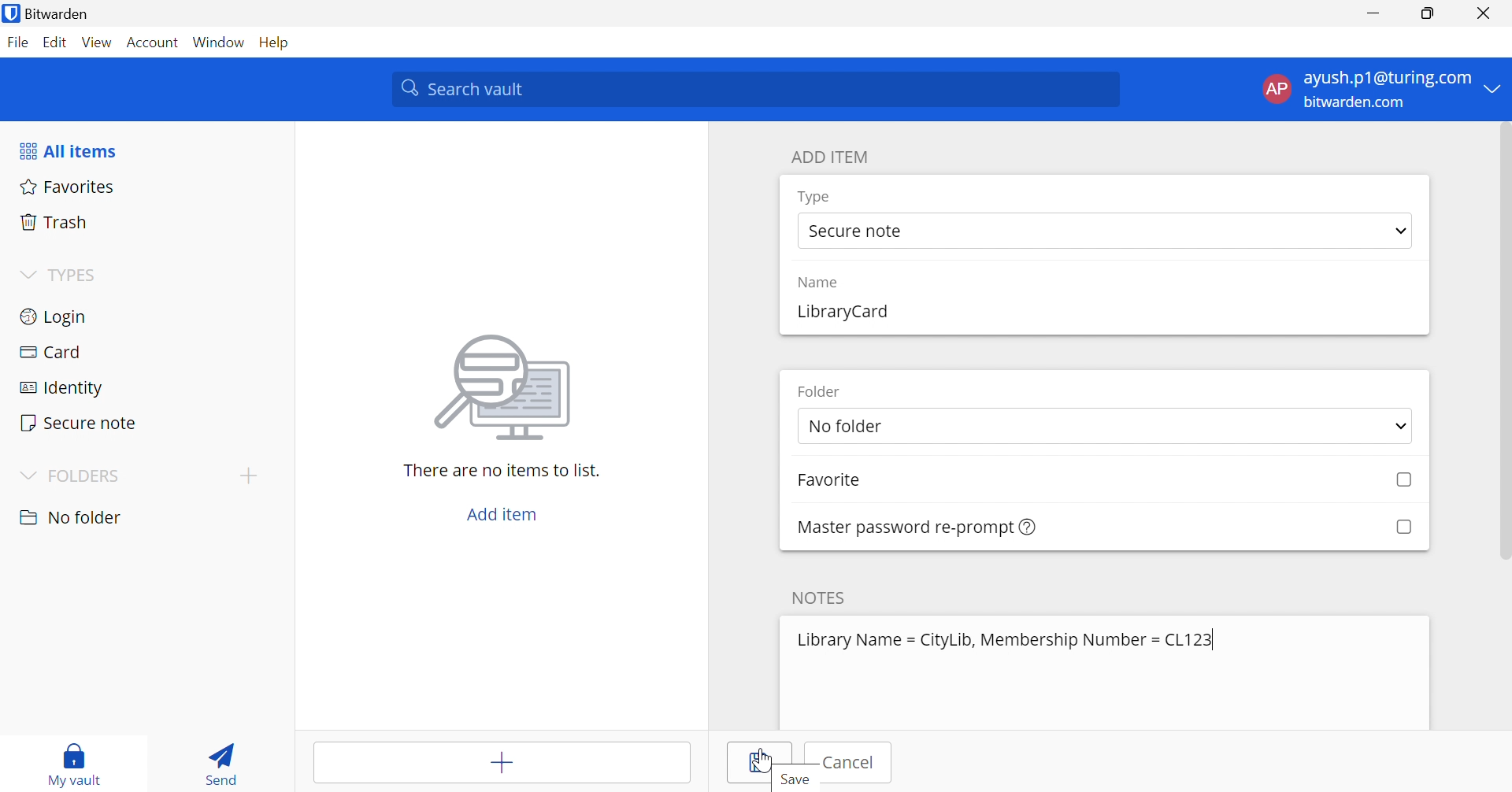 The width and height of the screenshot is (1512, 792). What do you see at coordinates (246, 475) in the screenshot?
I see `Add folder` at bounding box center [246, 475].